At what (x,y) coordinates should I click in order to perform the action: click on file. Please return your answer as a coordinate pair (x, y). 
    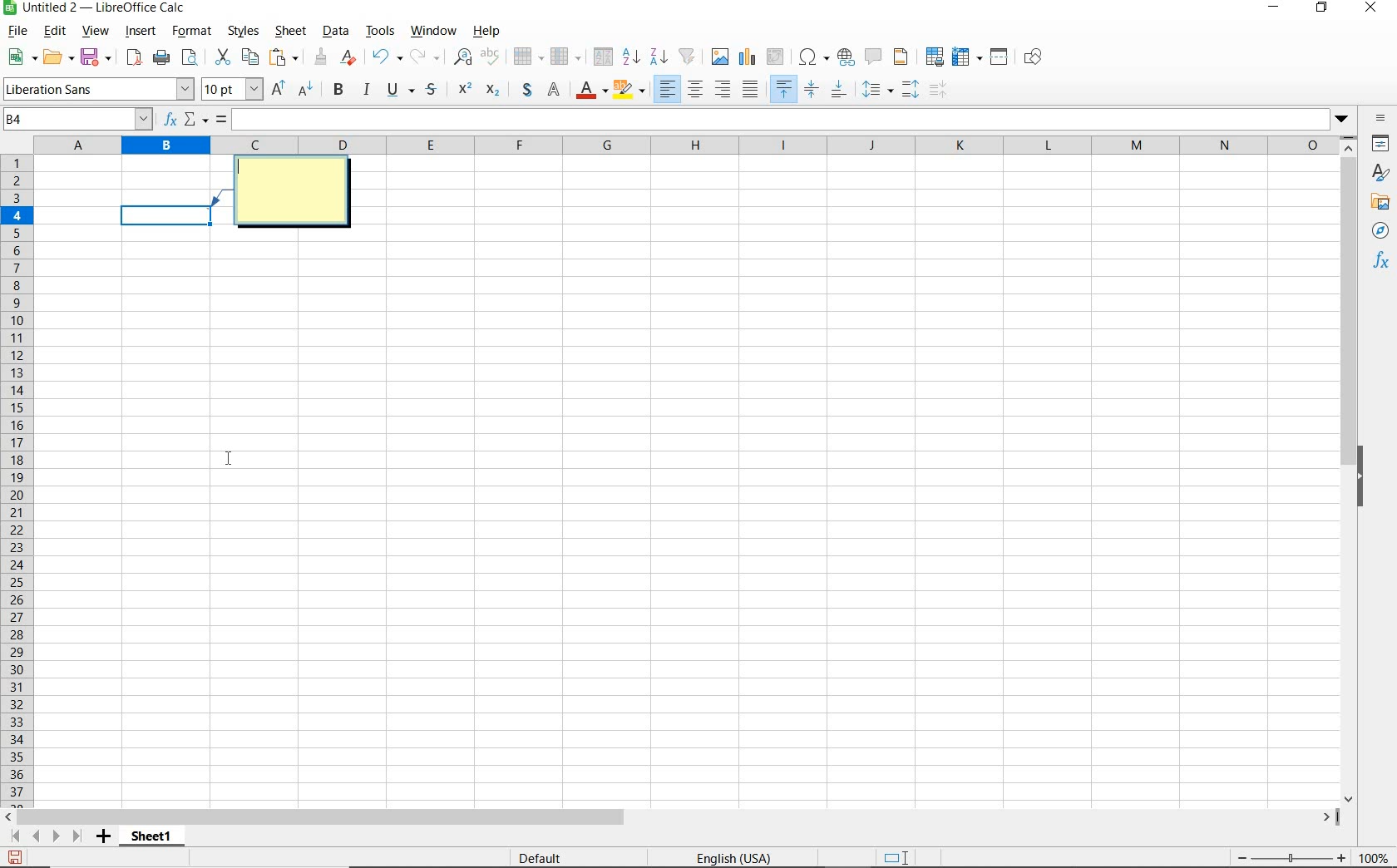
    Looking at the image, I should click on (17, 32).